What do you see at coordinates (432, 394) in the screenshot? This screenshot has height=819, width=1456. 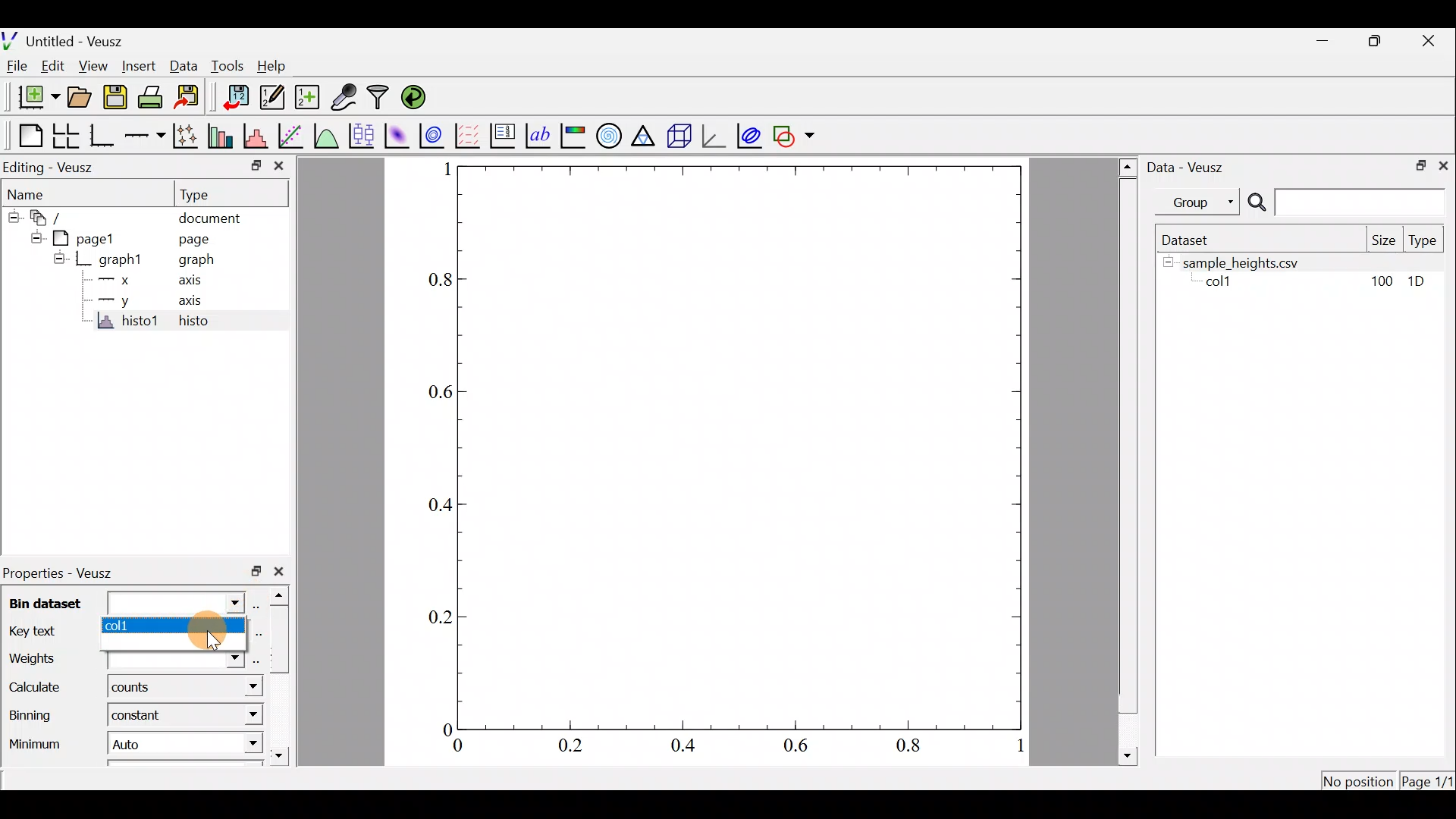 I see `0.6` at bounding box center [432, 394].